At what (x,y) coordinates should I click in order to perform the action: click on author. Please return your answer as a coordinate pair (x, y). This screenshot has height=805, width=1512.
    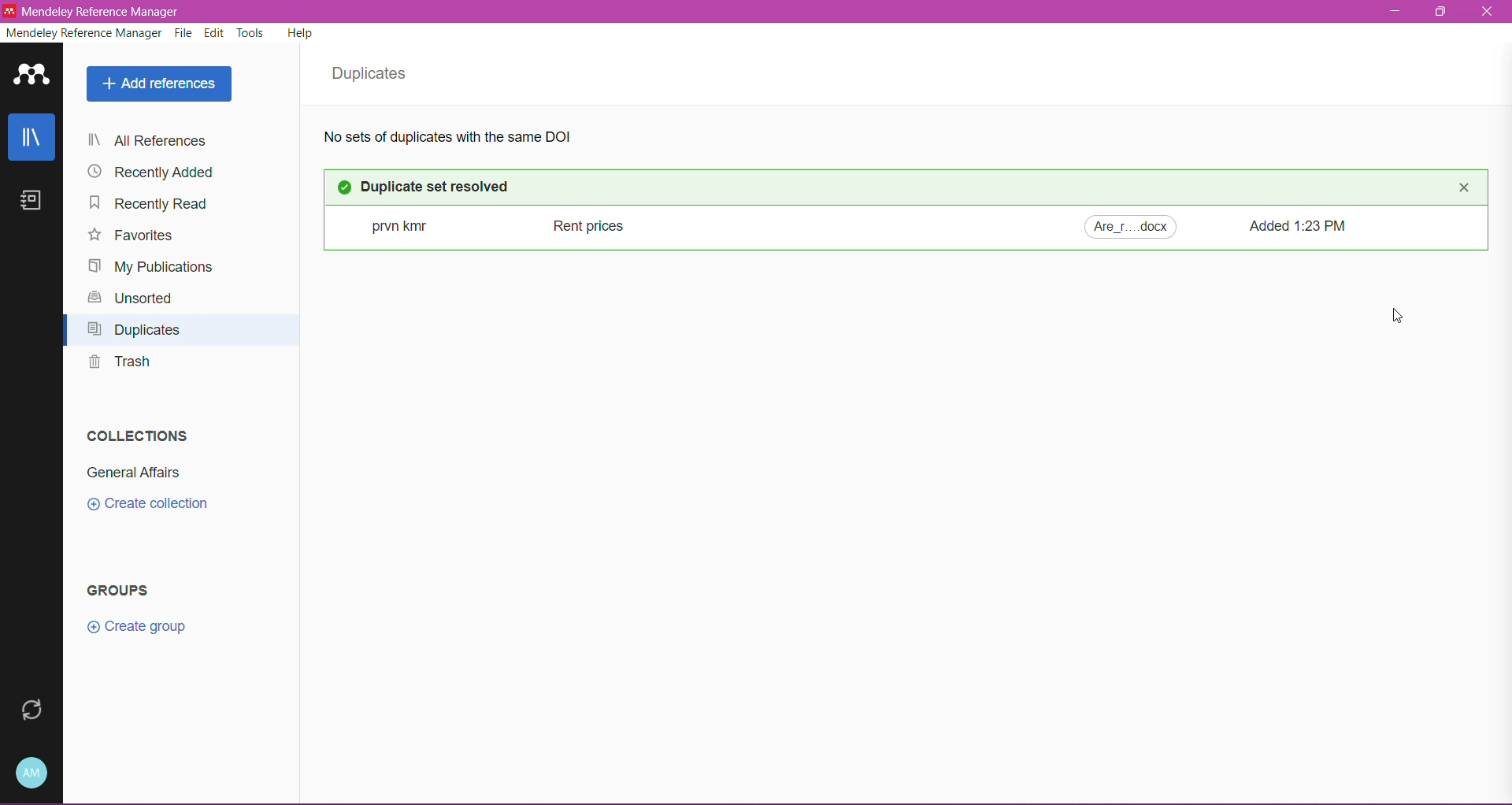
    Looking at the image, I should click on (389, 224).